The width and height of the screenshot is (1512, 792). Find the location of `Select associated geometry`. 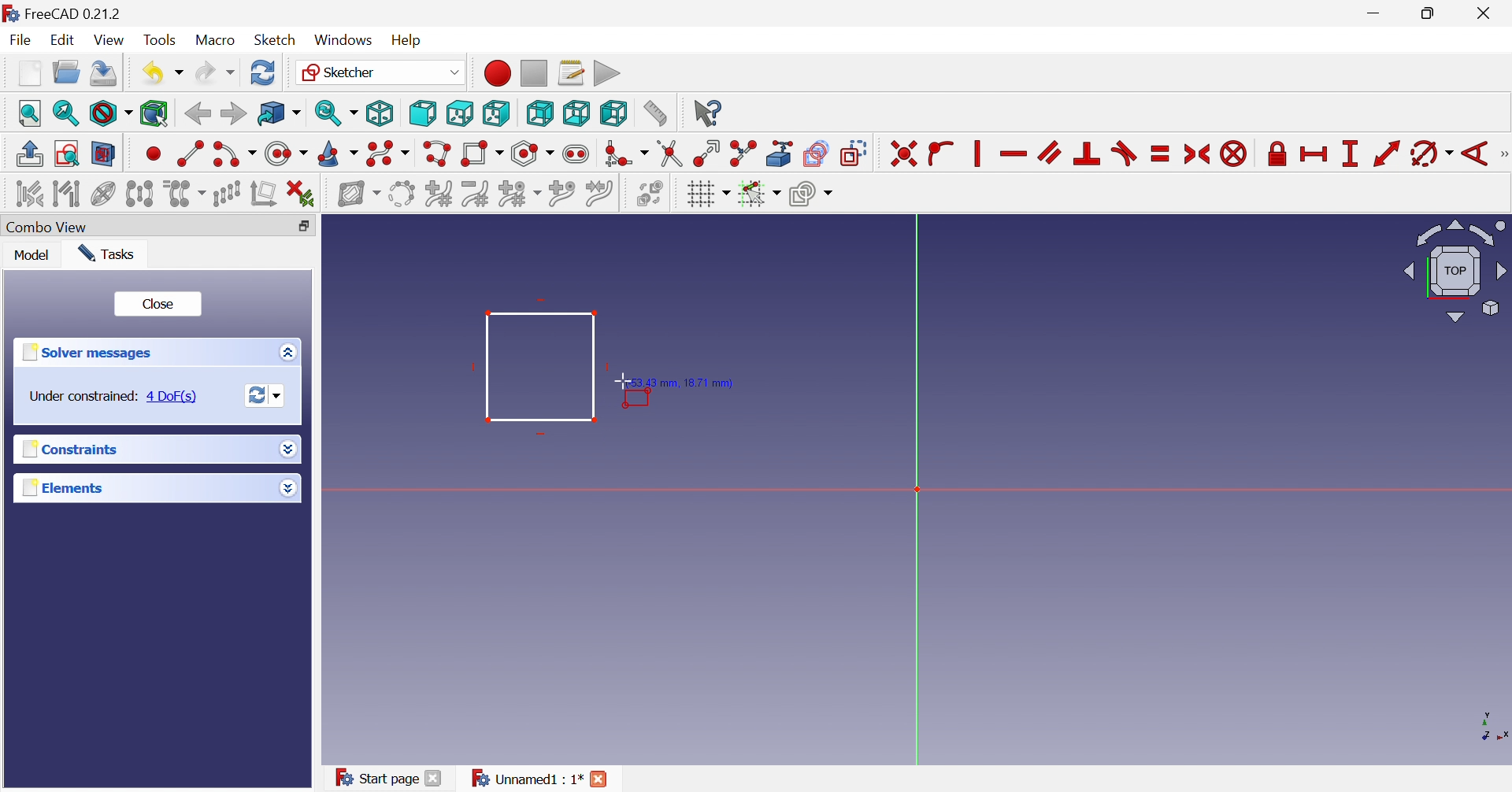

Select associated geometry is located at coordinates (69, 196).